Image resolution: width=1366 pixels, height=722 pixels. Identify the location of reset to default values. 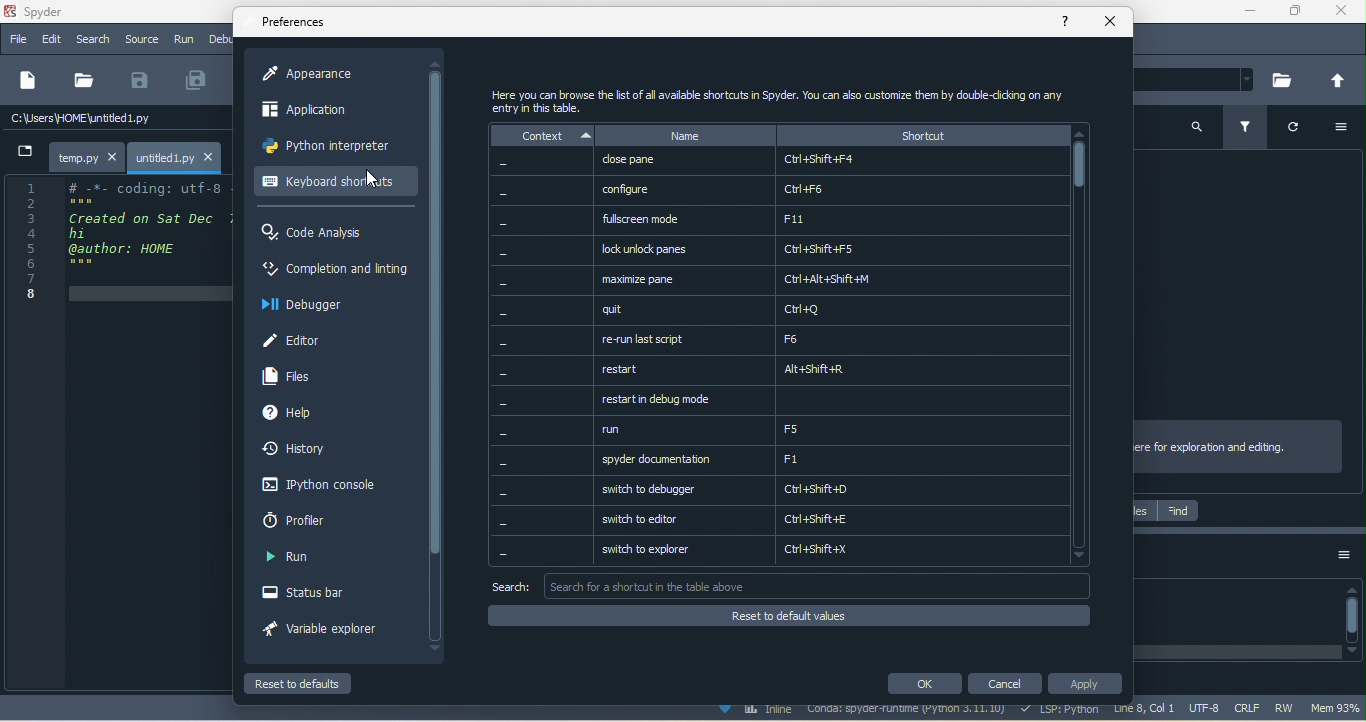
(795, 617).